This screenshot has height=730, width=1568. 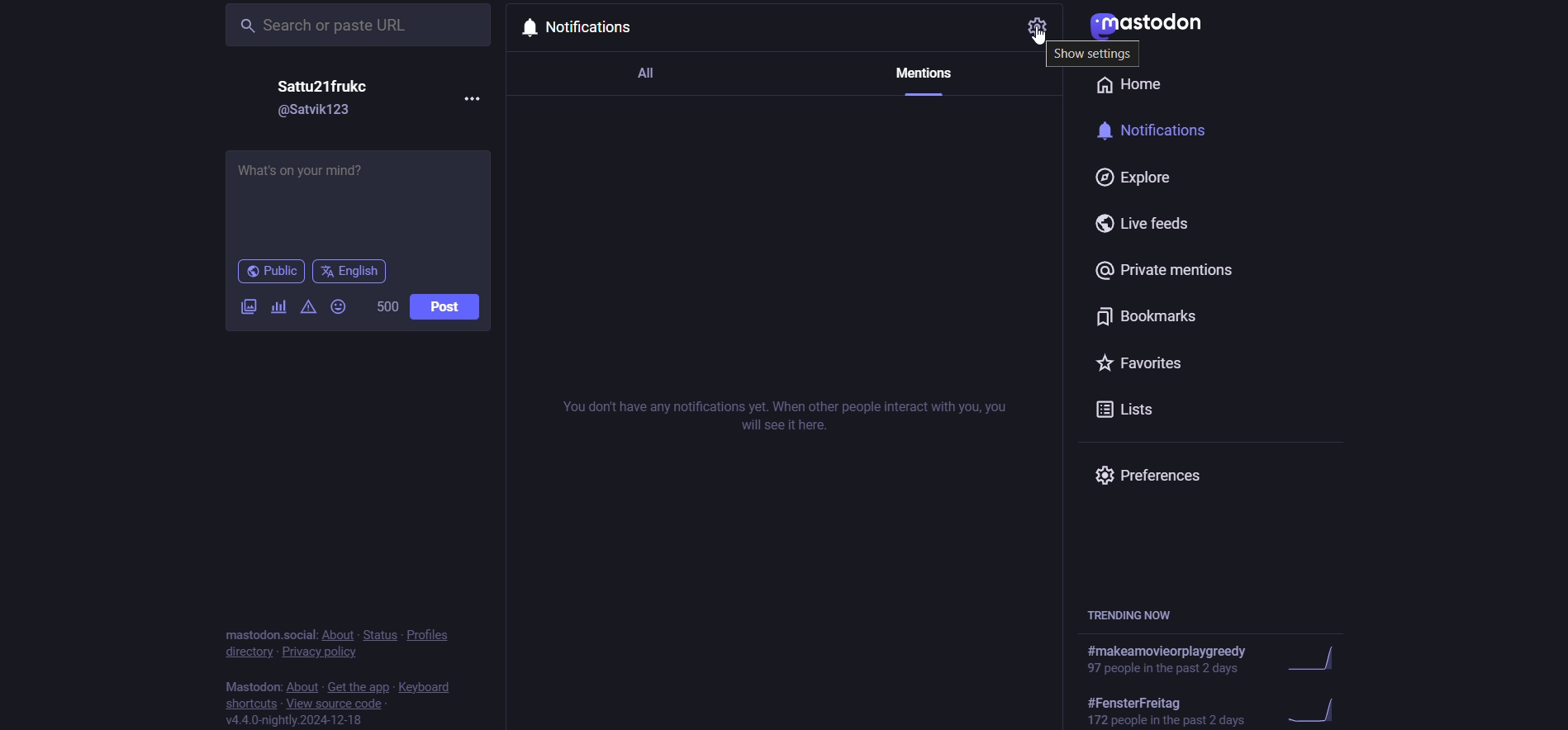 What do you see at coordinates (1154, 476) in the screenshot?
I see `Preferences` at bounding box center [1154, 476].